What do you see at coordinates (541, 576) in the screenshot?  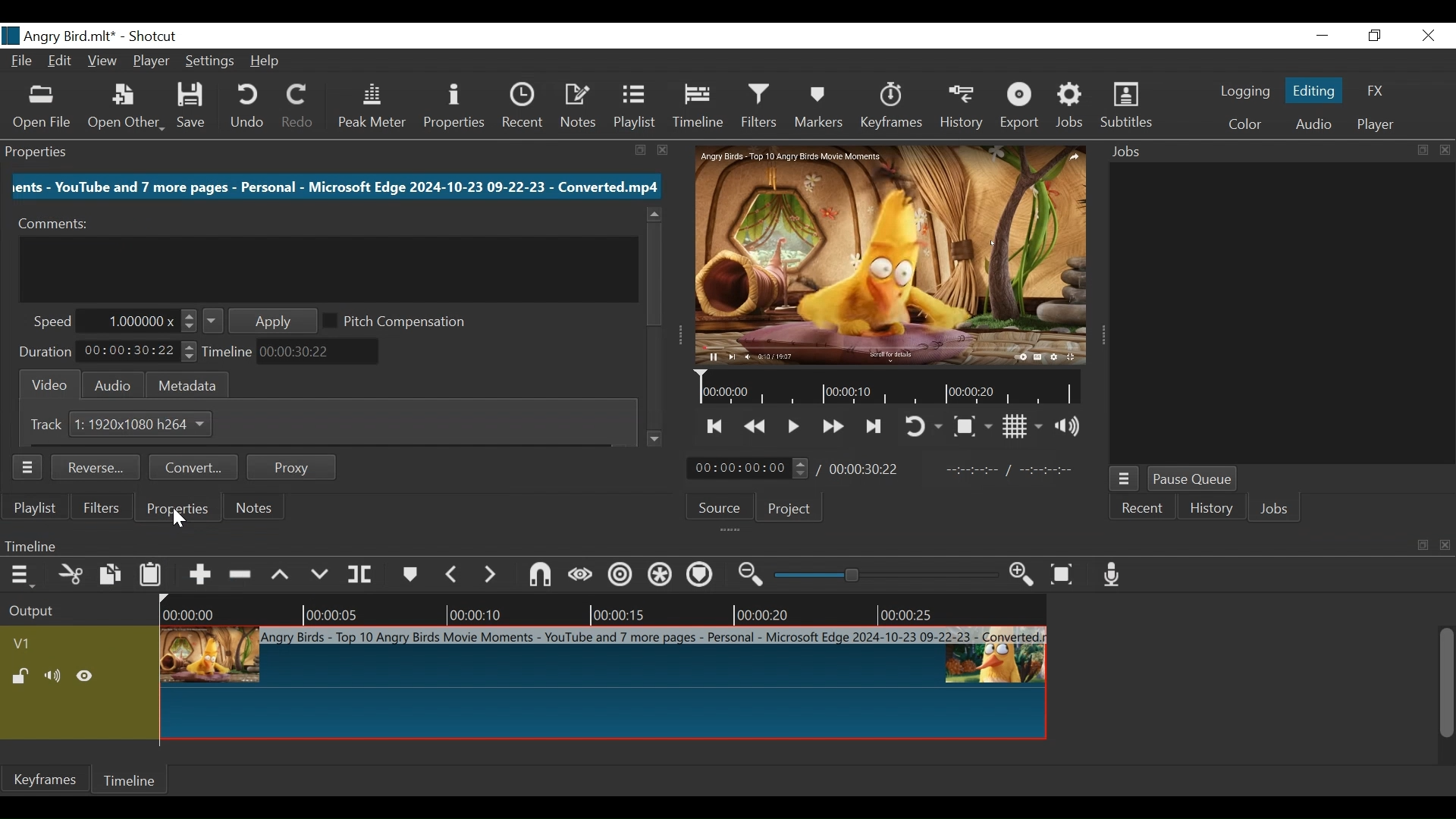 I see `Snap` at bounding box center [541, 576].